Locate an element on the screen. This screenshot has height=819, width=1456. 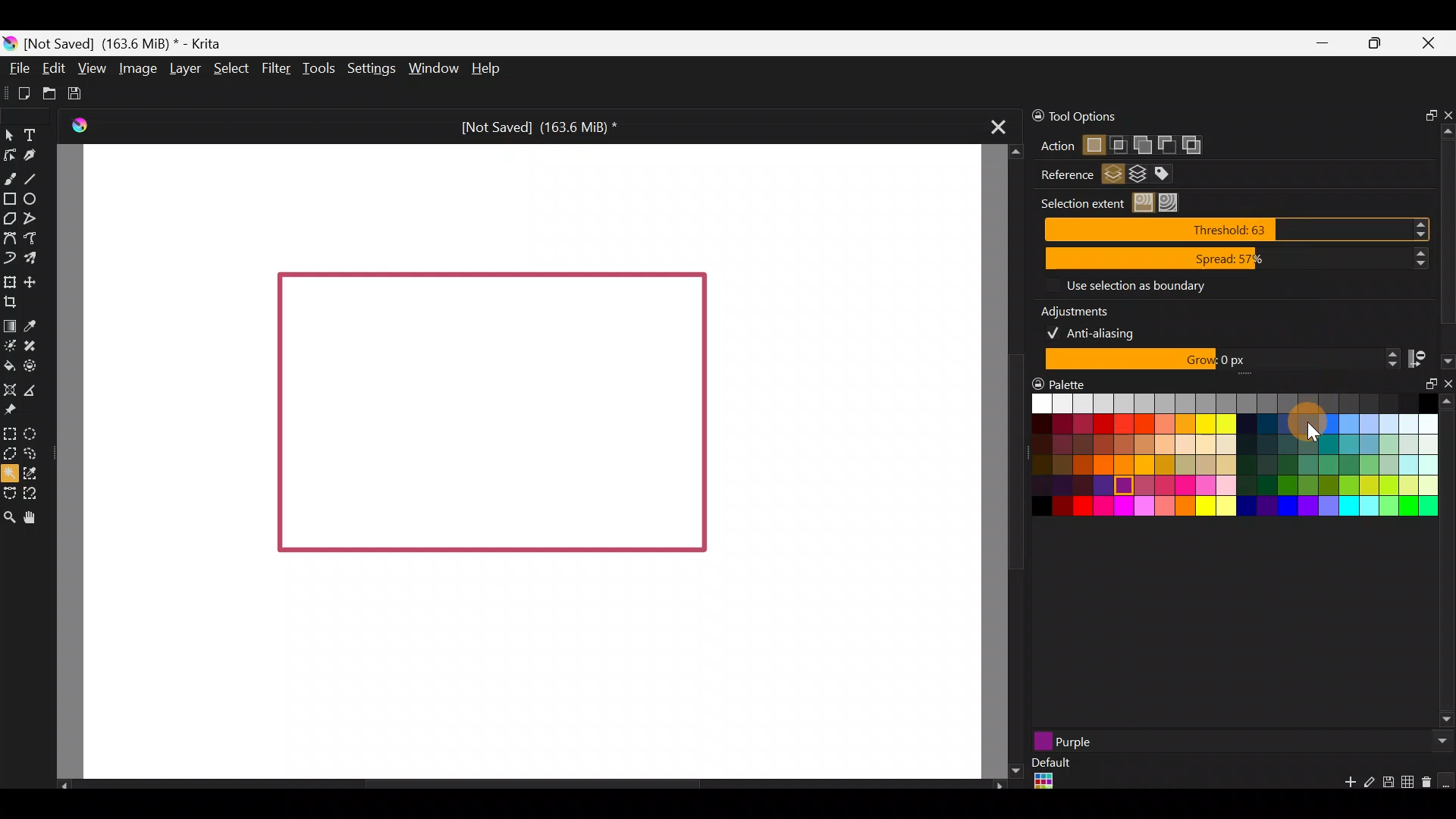
Anti-aliasing is located at coordinates (1101, 331).